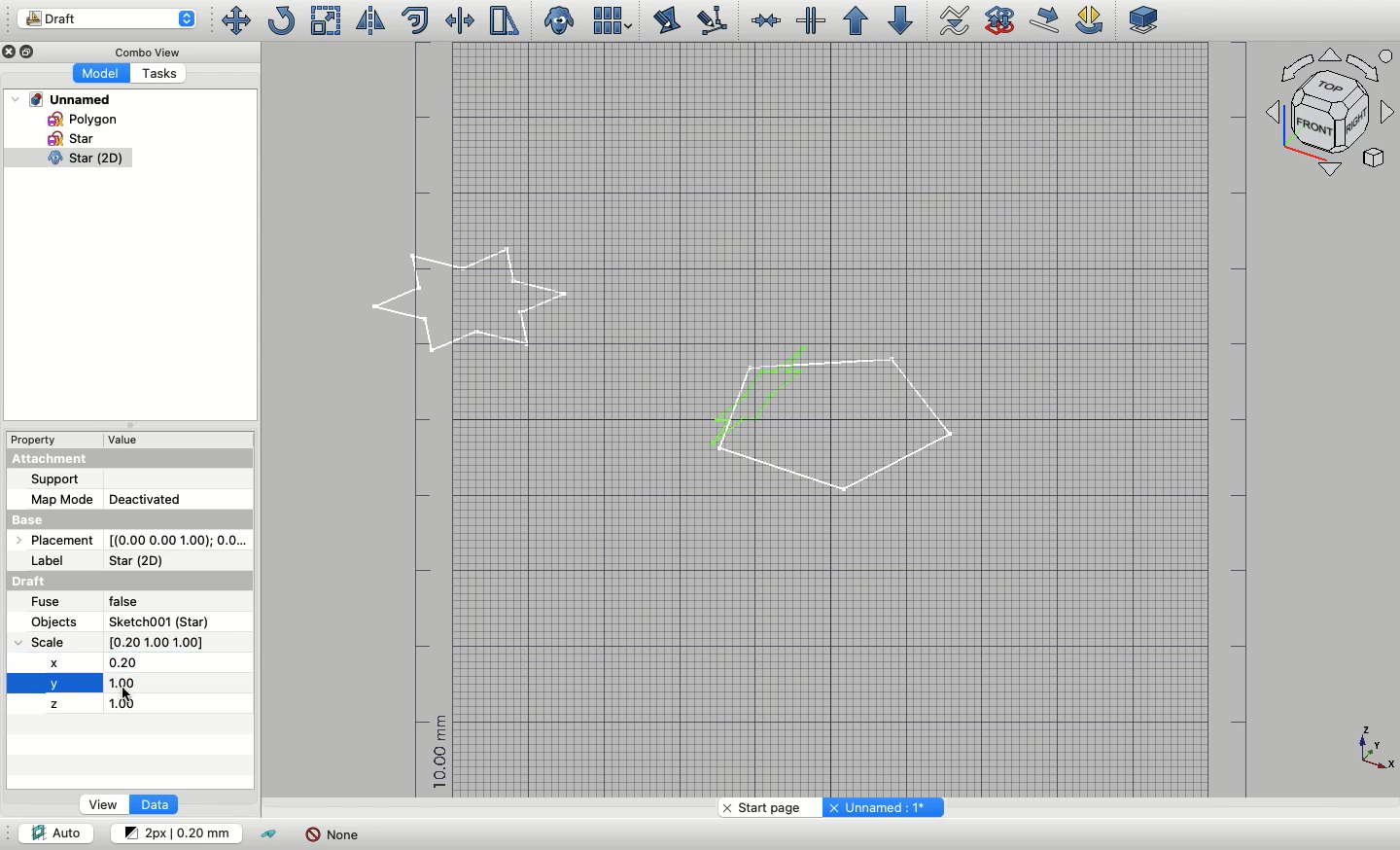 This screenshot has height=850, width=1400. Describe the element at coordinates (128, 425) in the screenshot. I see `Collapse` at that location.